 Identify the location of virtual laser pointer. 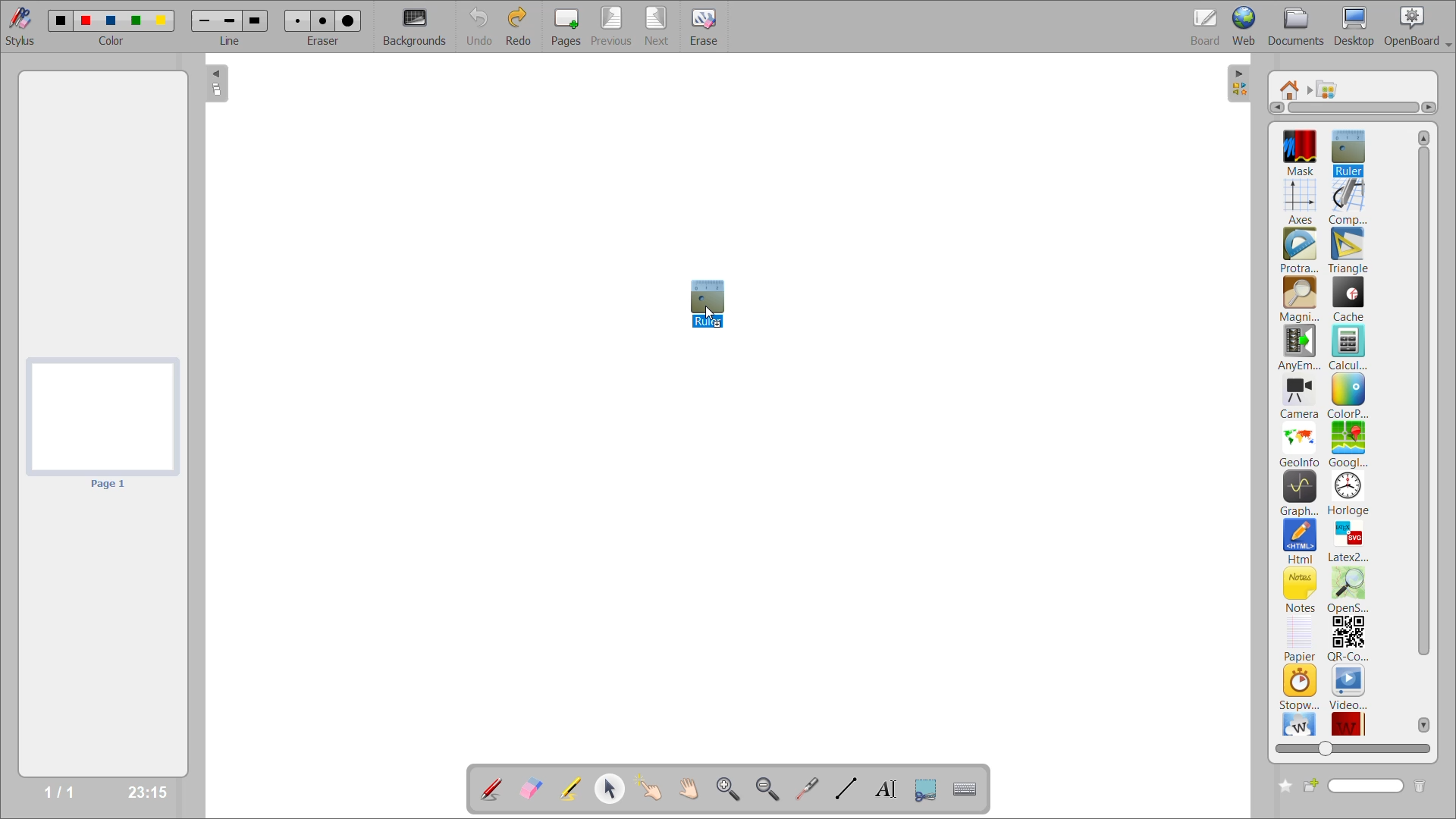
(805, 788).